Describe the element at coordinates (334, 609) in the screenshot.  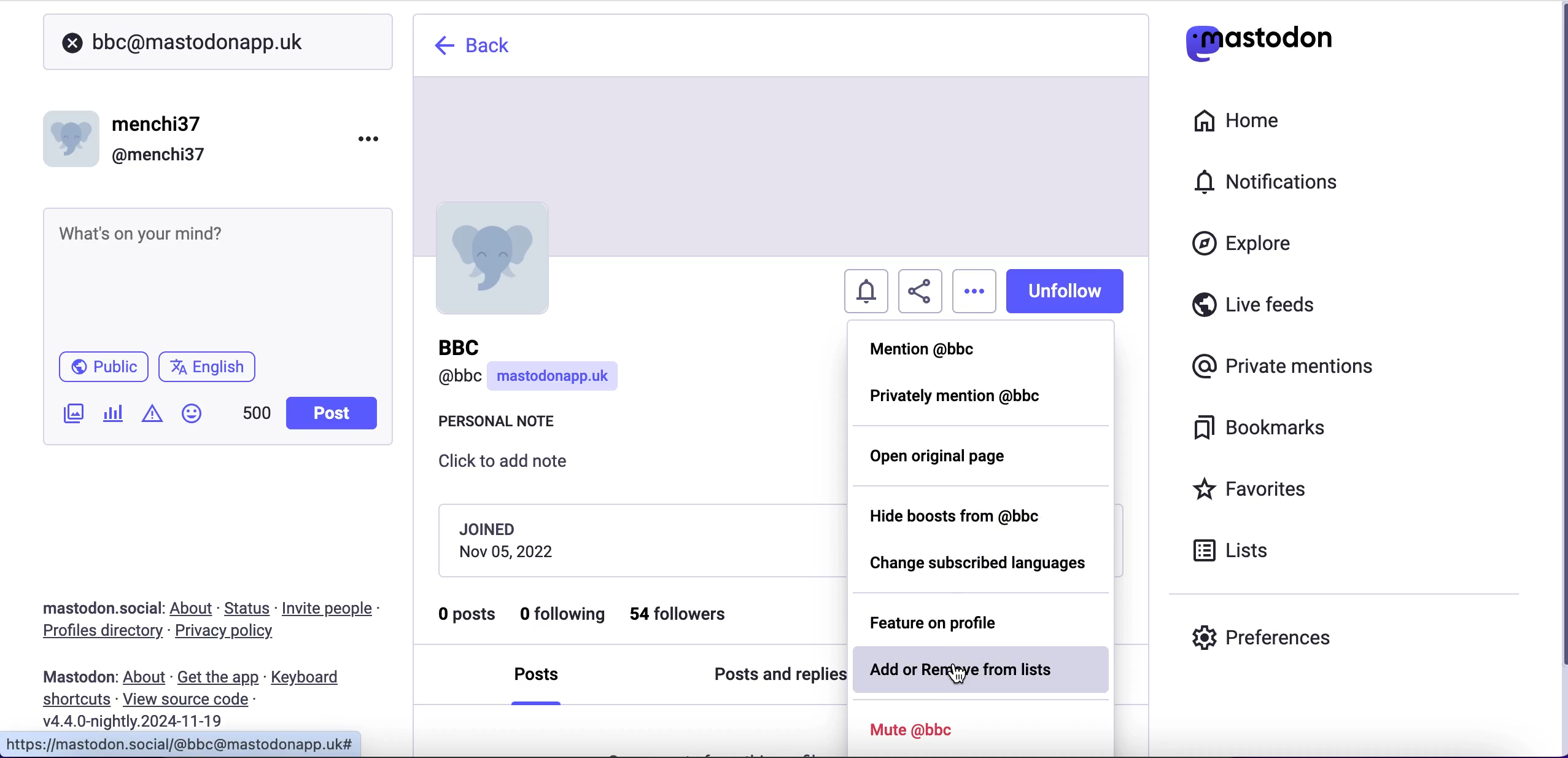
I see `invite people` at that location.